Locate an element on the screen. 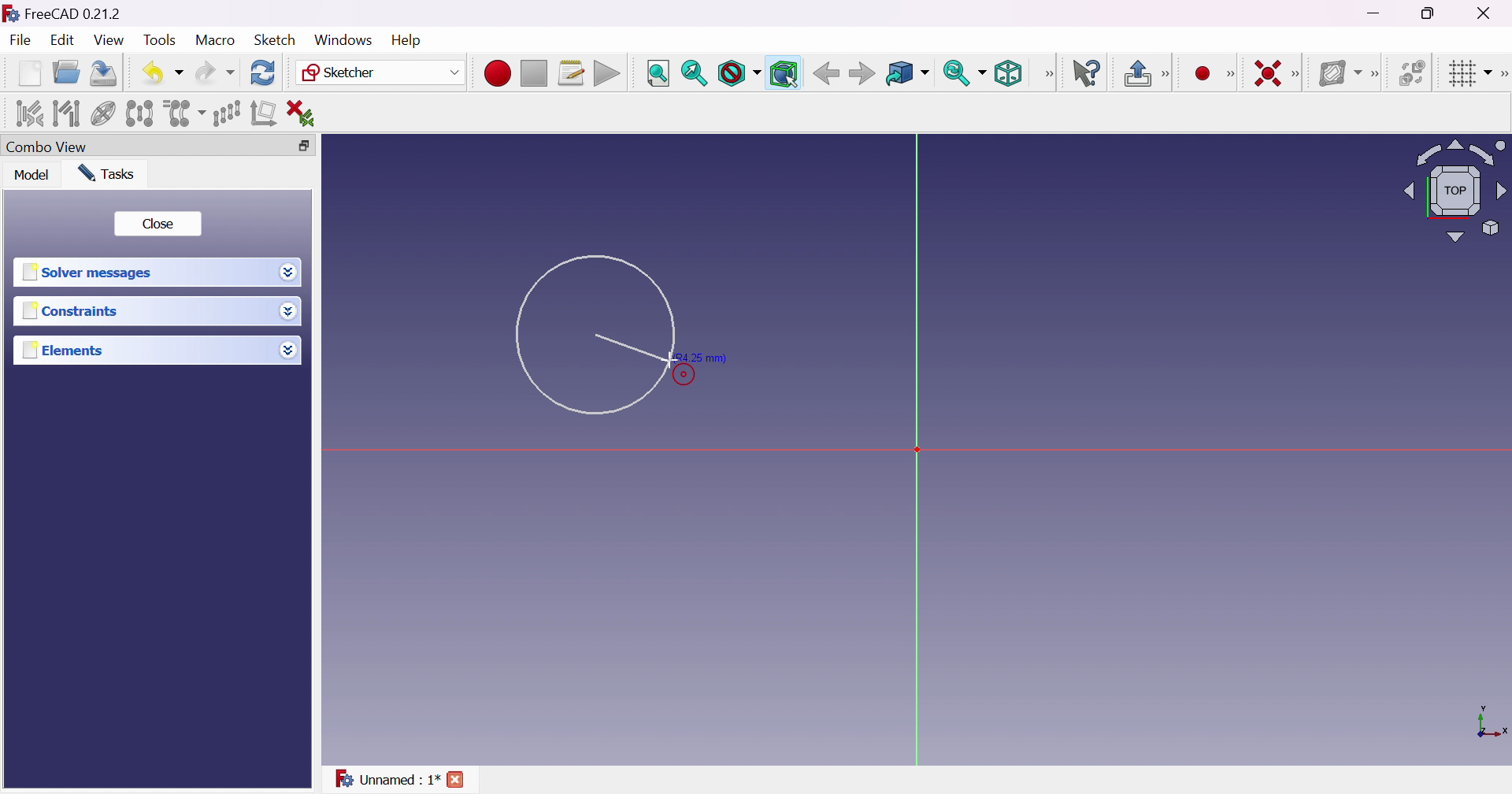 The width and height of the screenshot is (1512, 794). logo is located at coordinates (10, 12).